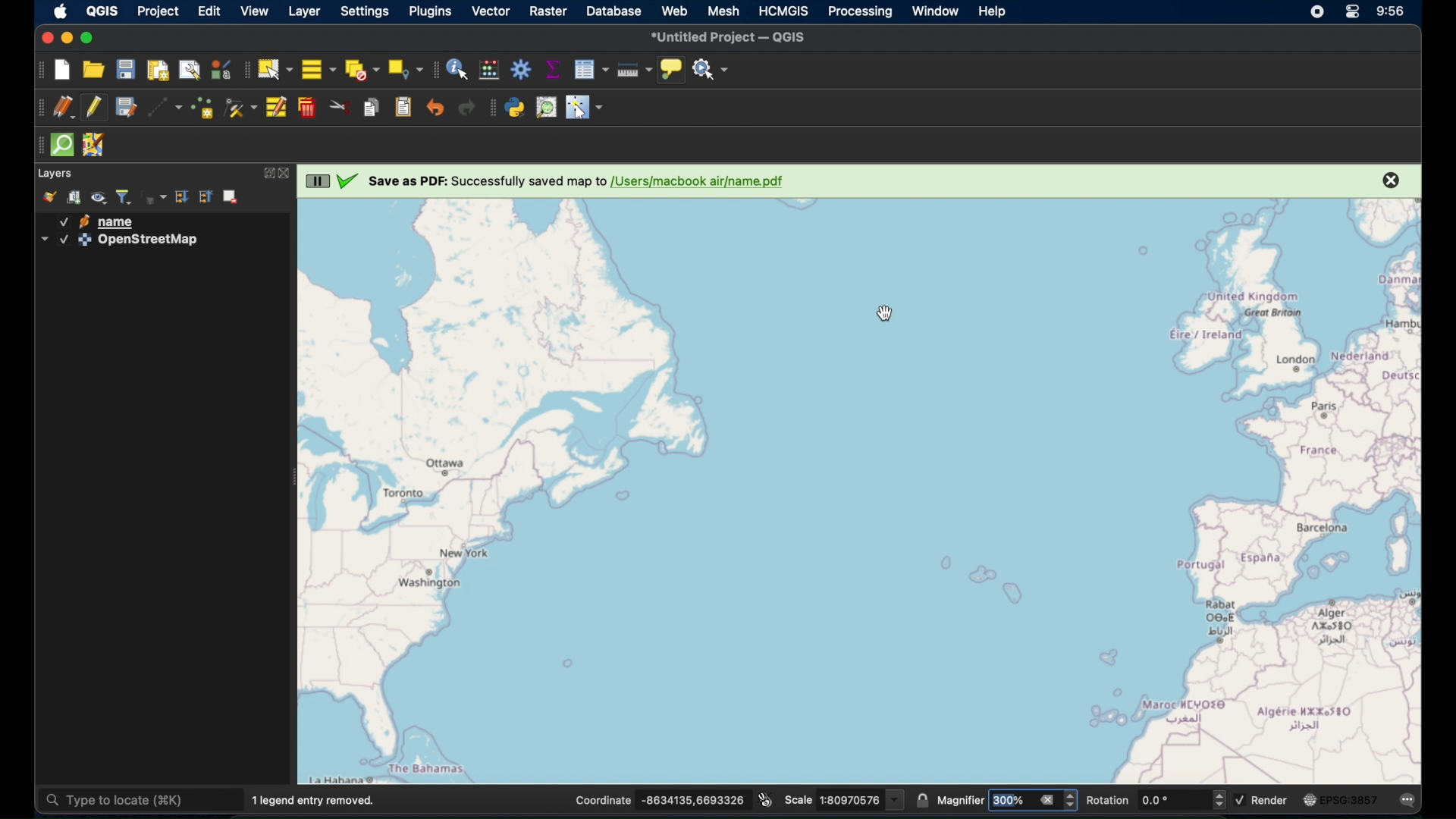  Describe the element at coordinates (61, 12) in the screenshot. I see `apple icon` at that location.